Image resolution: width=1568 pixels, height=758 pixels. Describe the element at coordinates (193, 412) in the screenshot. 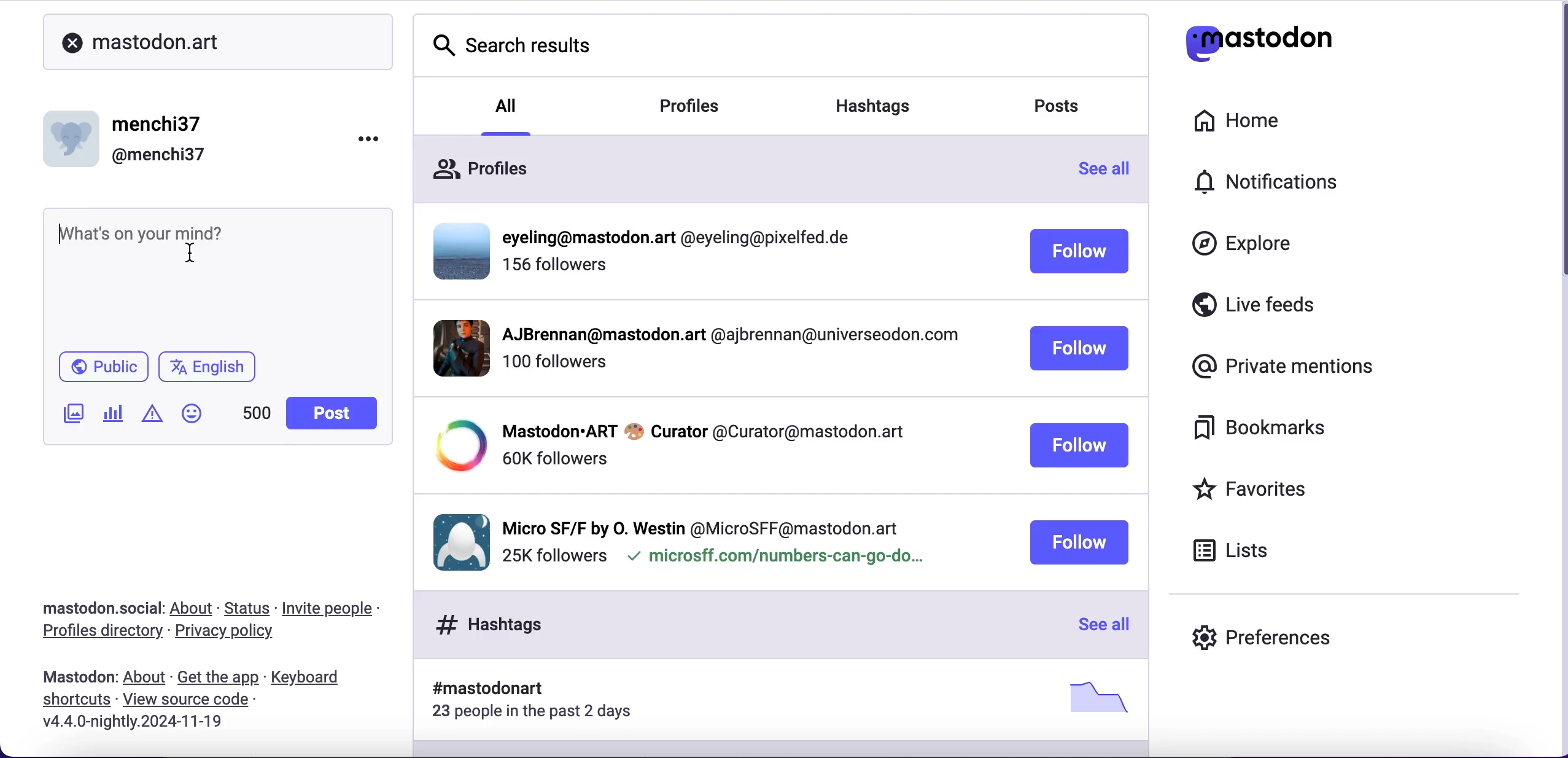

I see `emoji` at that location.